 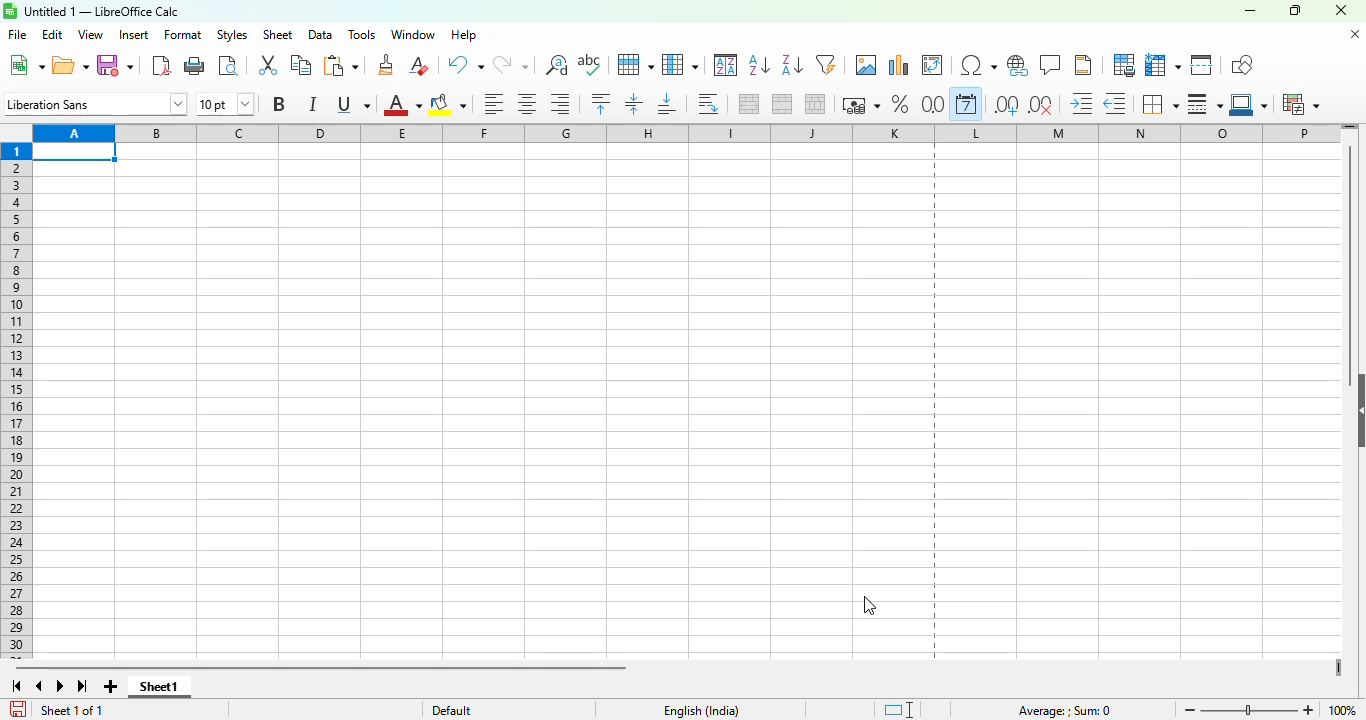 What do you see at coordinates (401, 105) in the screenshot?
I see `font color` at bounding box center [401, 105].